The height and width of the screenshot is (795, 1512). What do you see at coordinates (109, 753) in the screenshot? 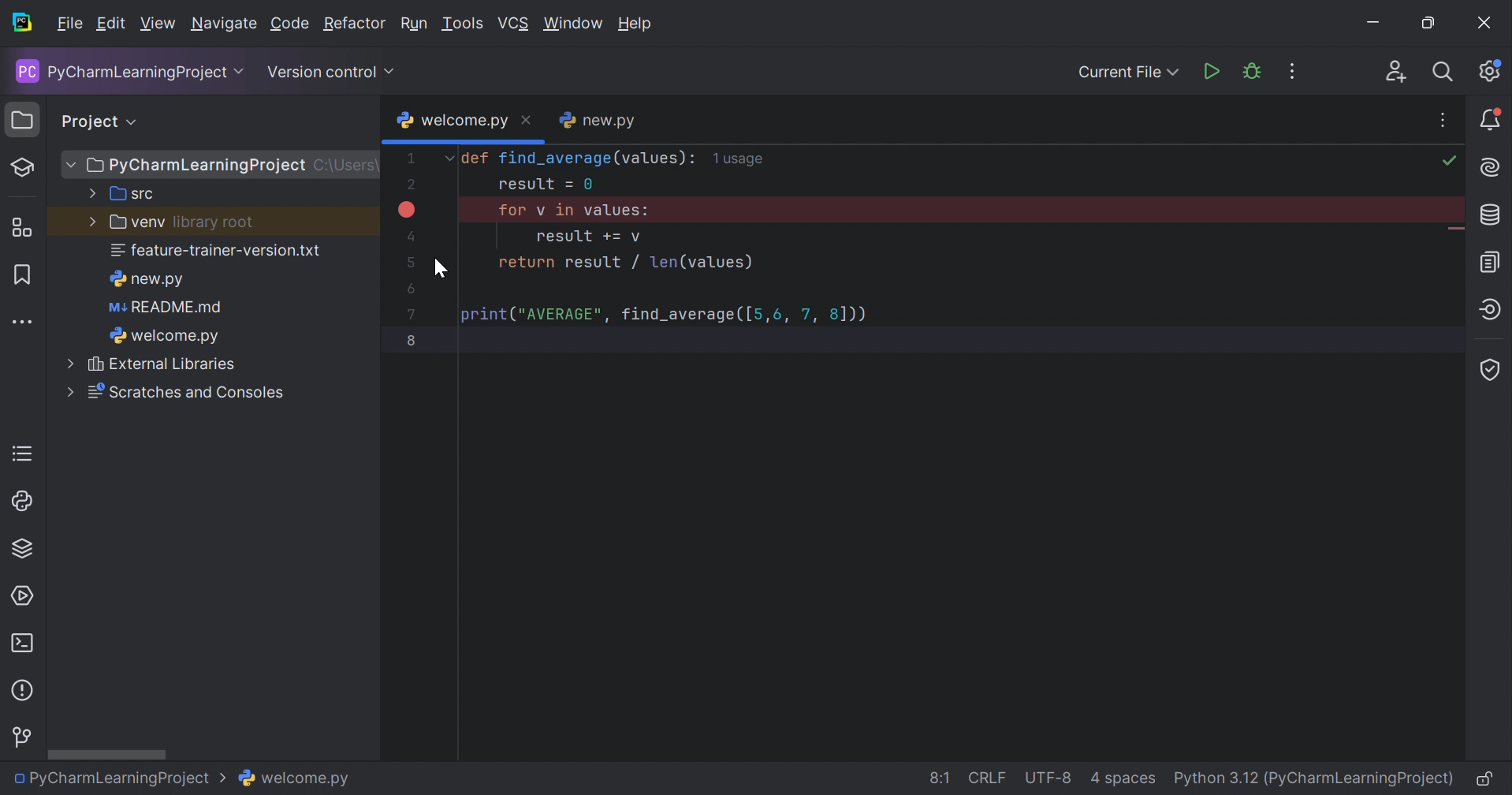
I see `Scroll bar` at bounding box center [109, 753].